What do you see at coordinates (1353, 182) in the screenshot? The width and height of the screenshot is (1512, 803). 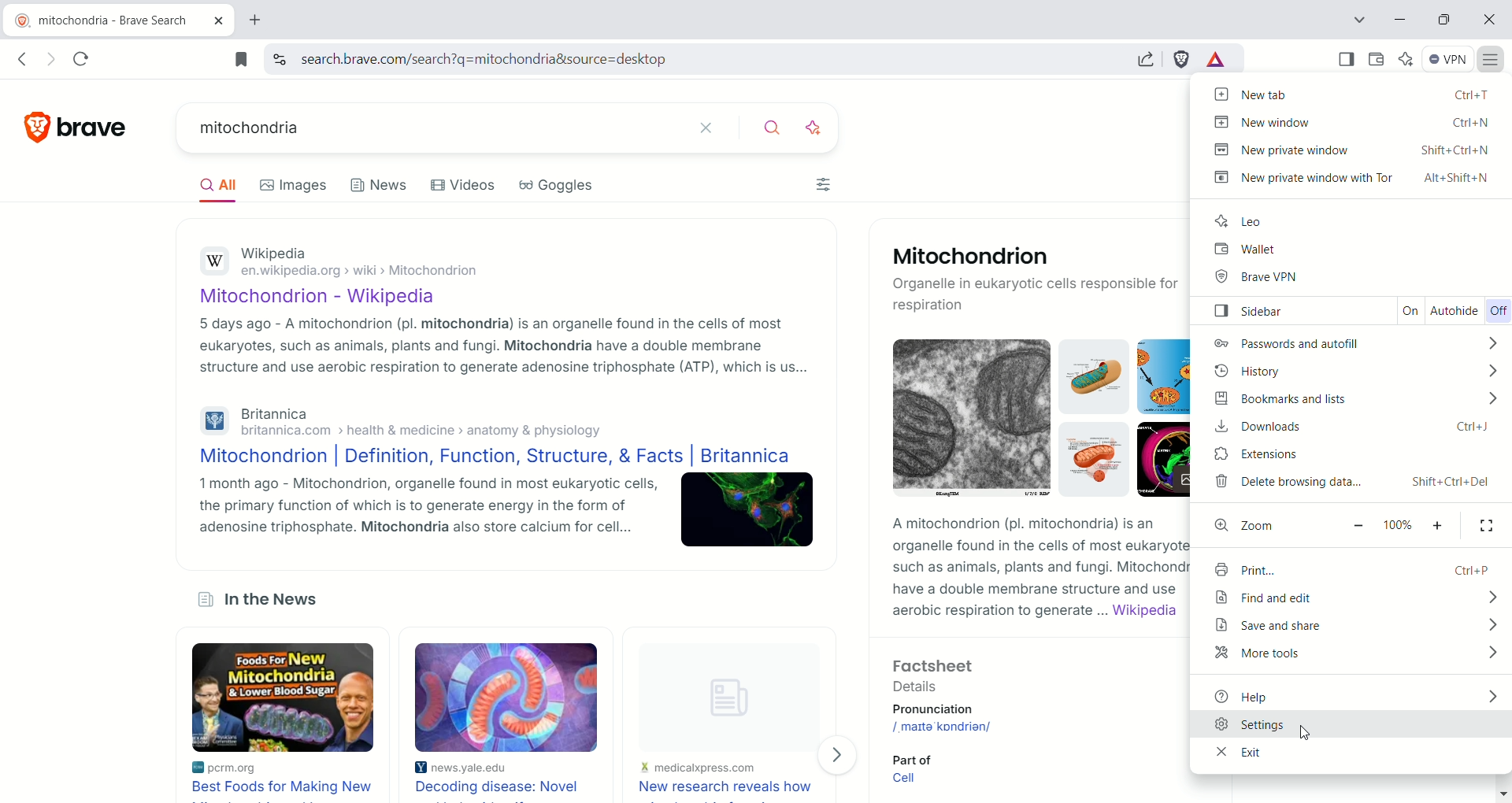 I see `new private window with tor` at bounding box center [1353, 182].